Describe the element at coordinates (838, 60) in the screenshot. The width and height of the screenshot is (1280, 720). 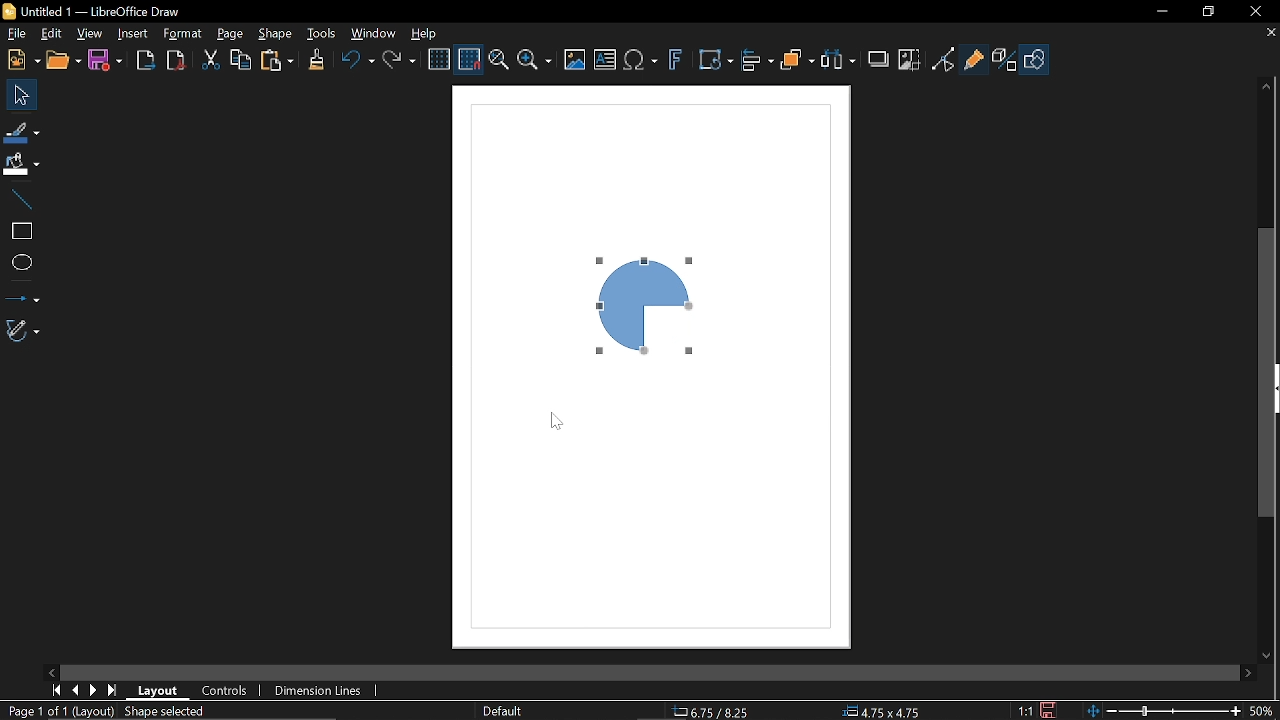
I see `Select at least three object to distribute` at that location.